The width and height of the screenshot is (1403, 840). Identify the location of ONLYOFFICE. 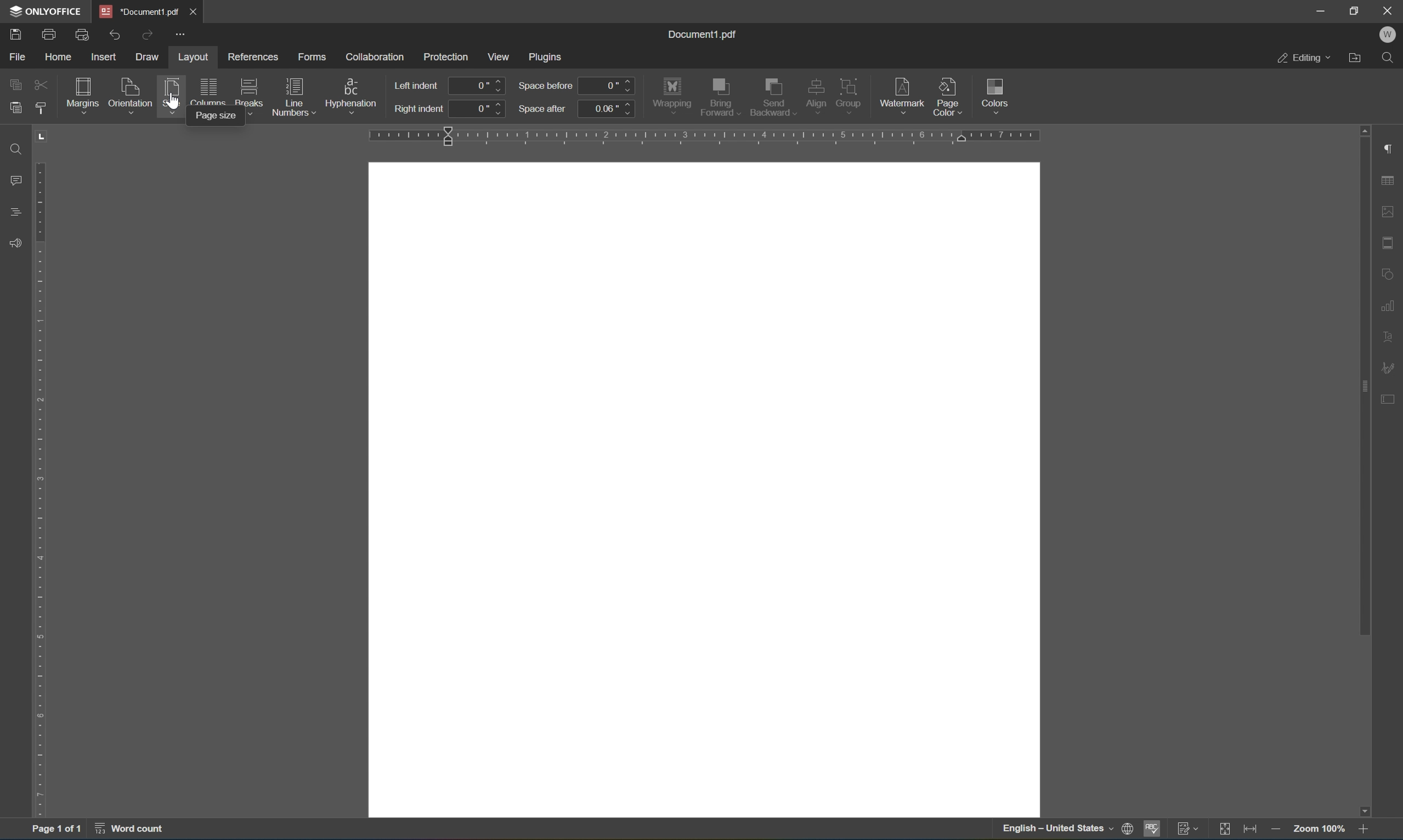
(44, 11).